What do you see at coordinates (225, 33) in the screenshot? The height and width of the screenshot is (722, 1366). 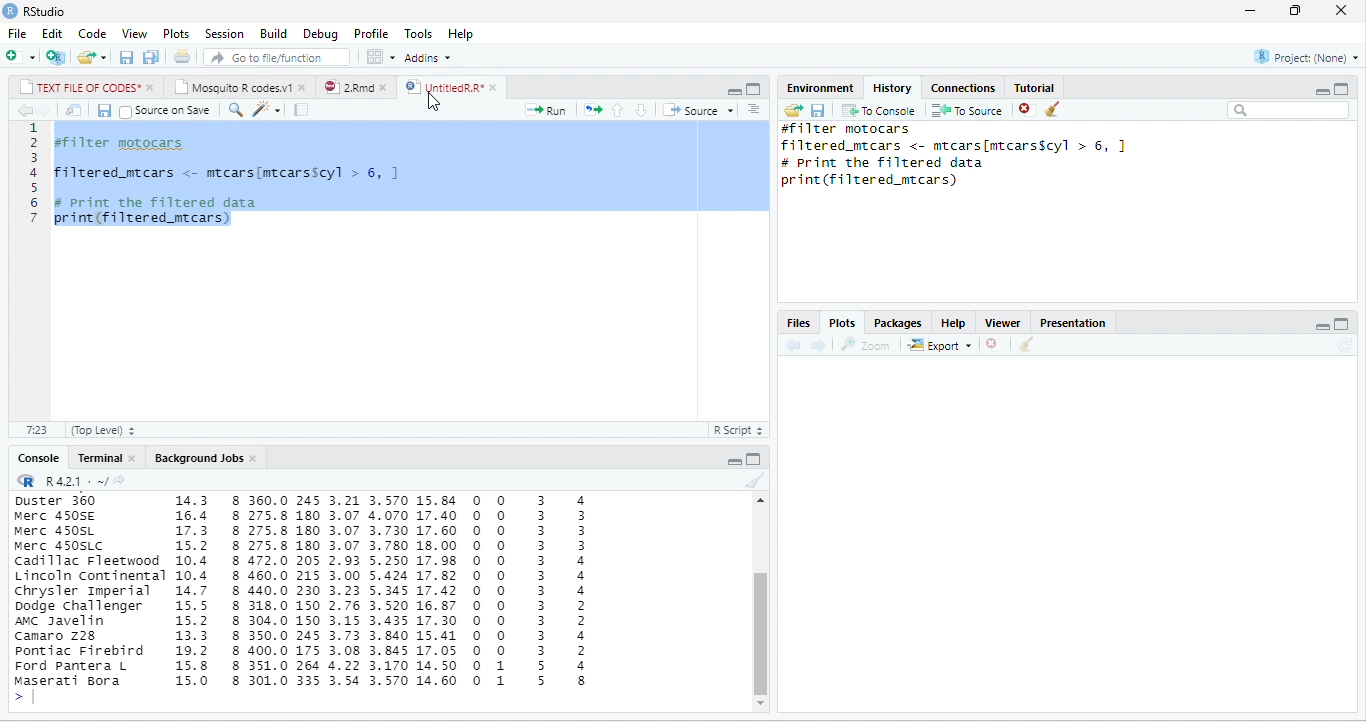 I see `Session` at bounding box center [225, 33].